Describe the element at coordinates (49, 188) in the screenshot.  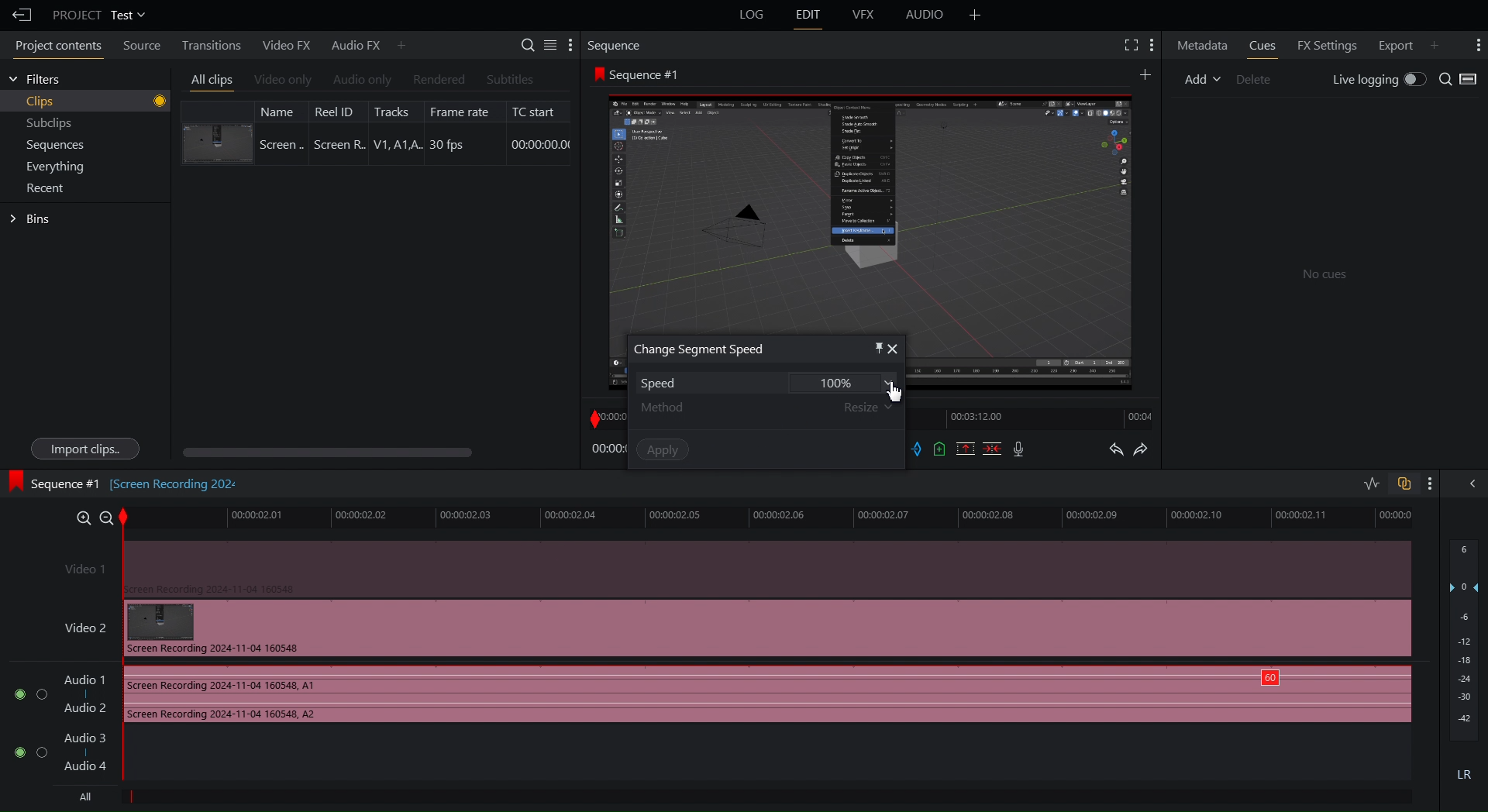
I see `Recent` at that location.